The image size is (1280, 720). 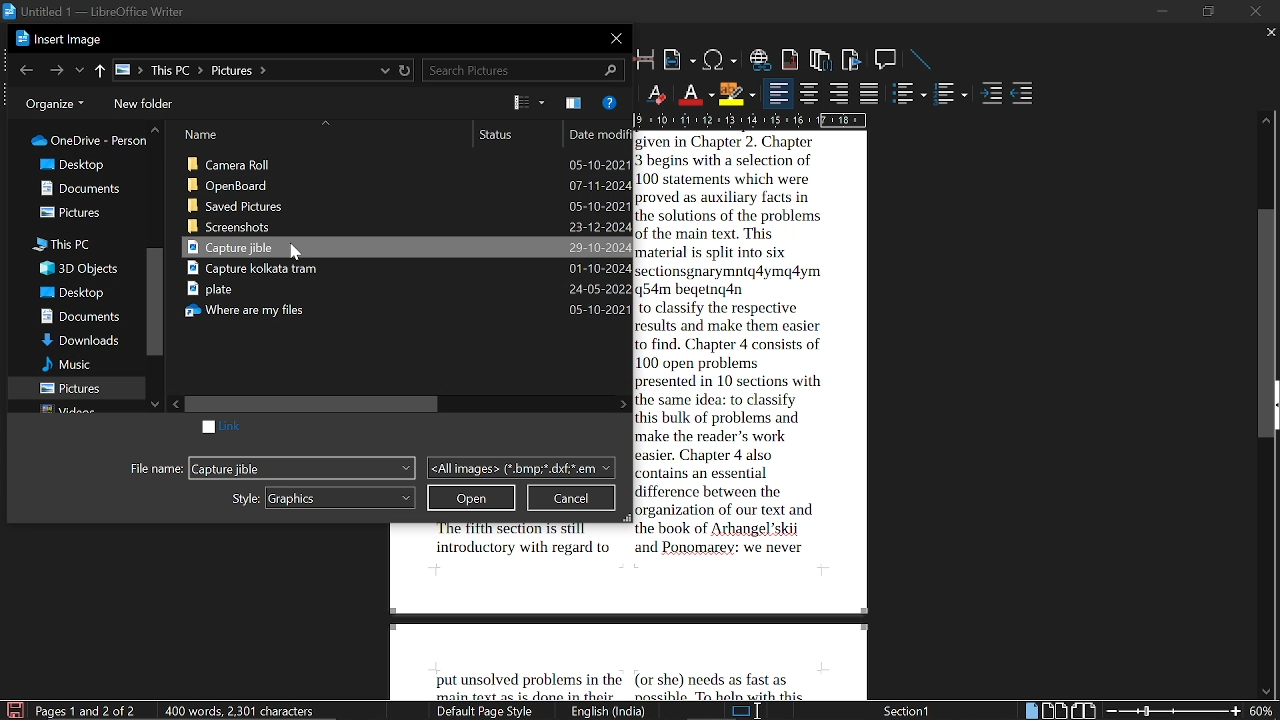 What do you see at coordinates (610, 711) in the screenshot?
I see `English India` at bounding box center [610, 711].